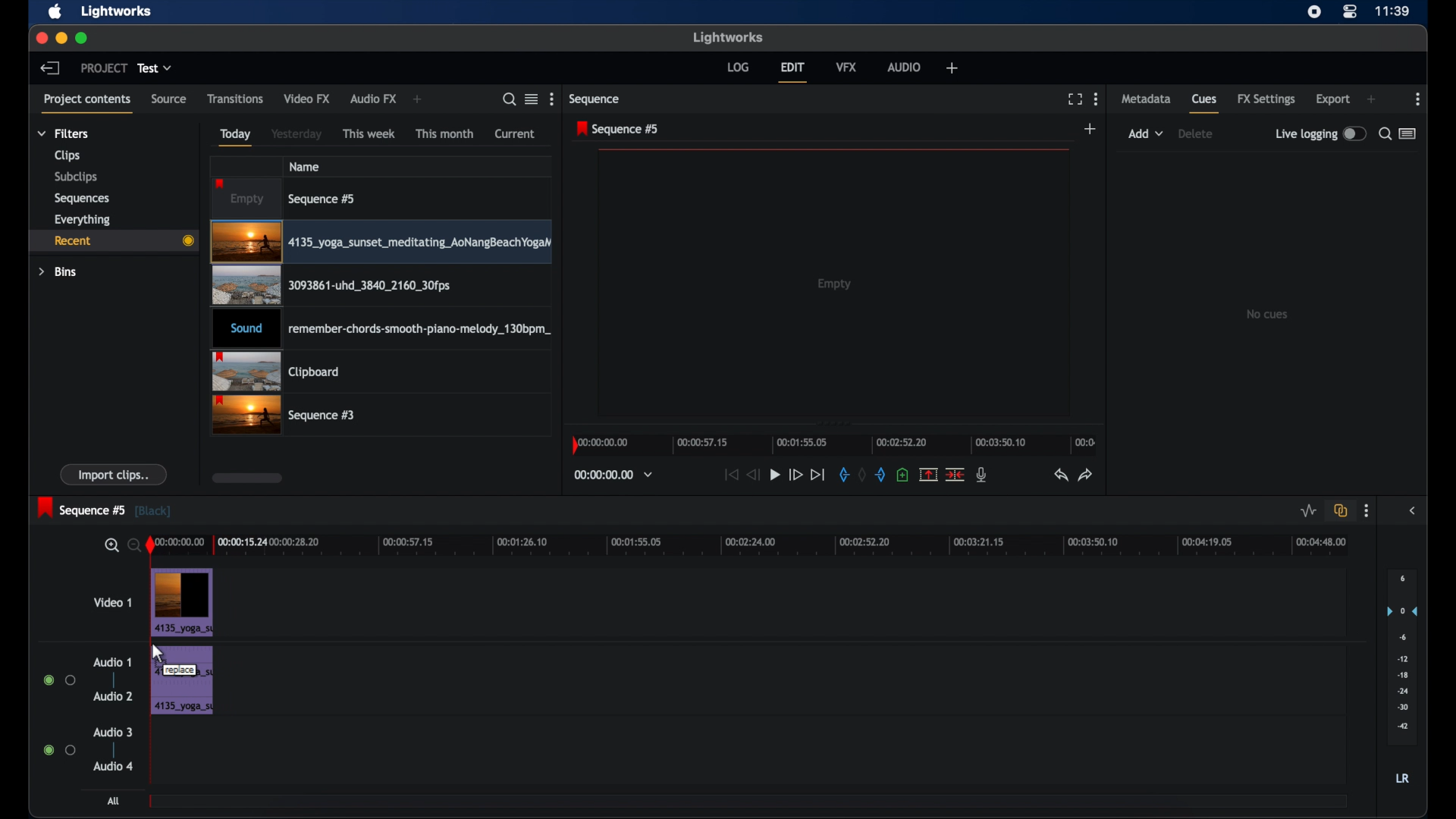 This screenshot has width=1456, height=819. I want to click on add, so click(417, 99).